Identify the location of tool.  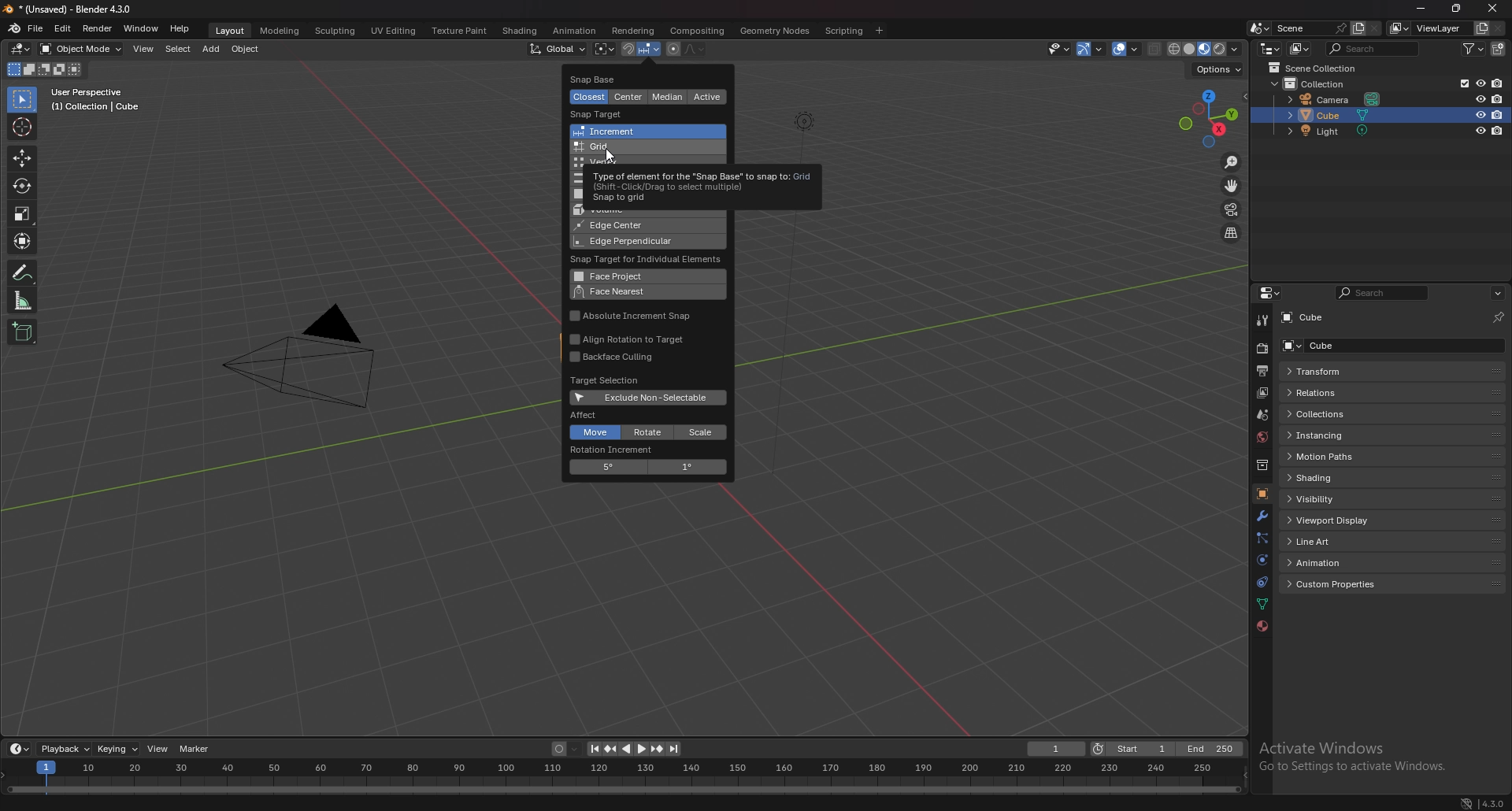
(1261, 320).